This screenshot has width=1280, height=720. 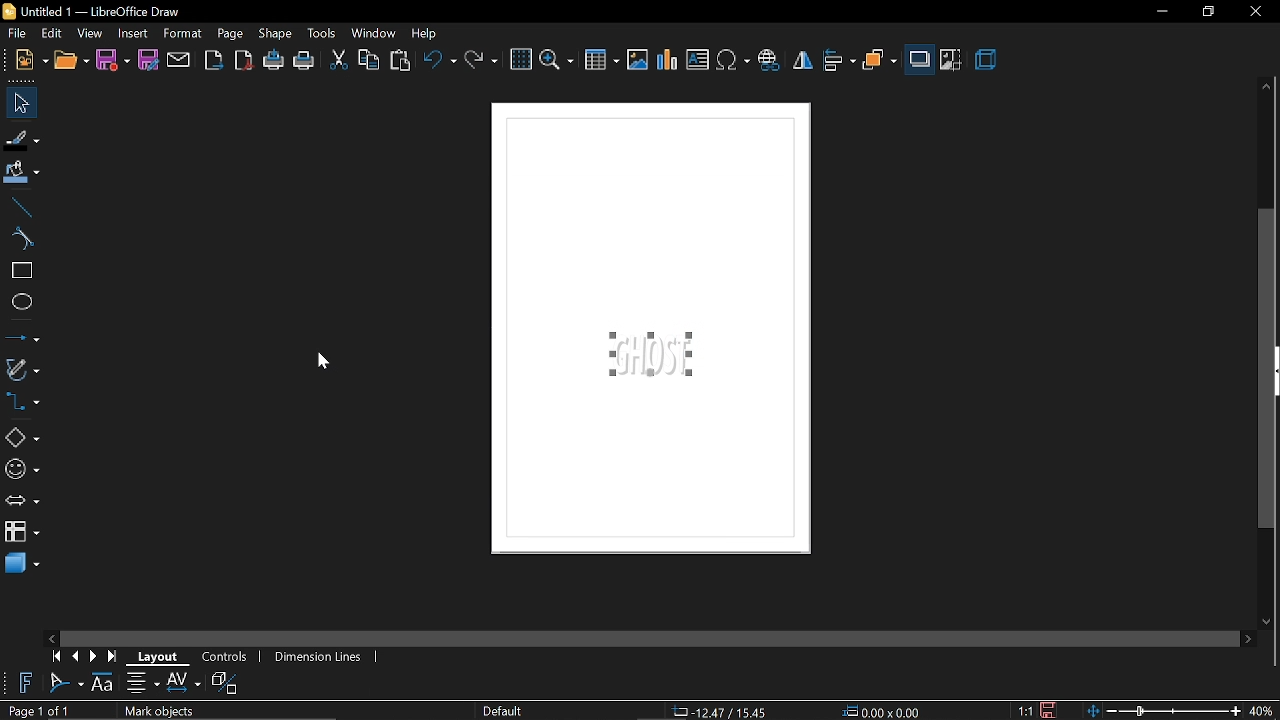 What do you see at coordinates (20, 437) in the screenshot?
I see `basic shapes` at bounding box center [20, 437].